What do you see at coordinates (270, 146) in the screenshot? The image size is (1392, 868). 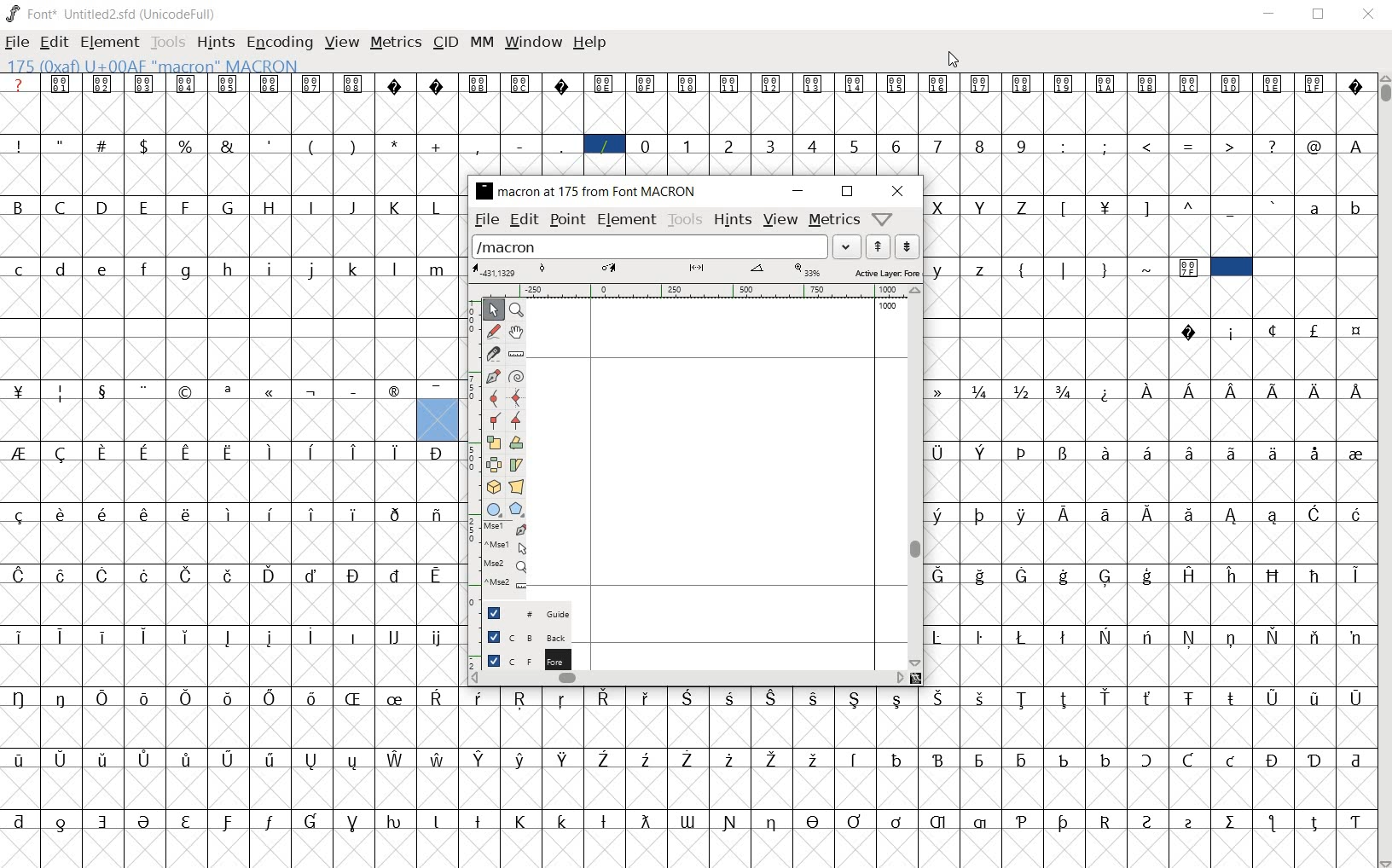 I see `'` at bounding box center [270, 146].